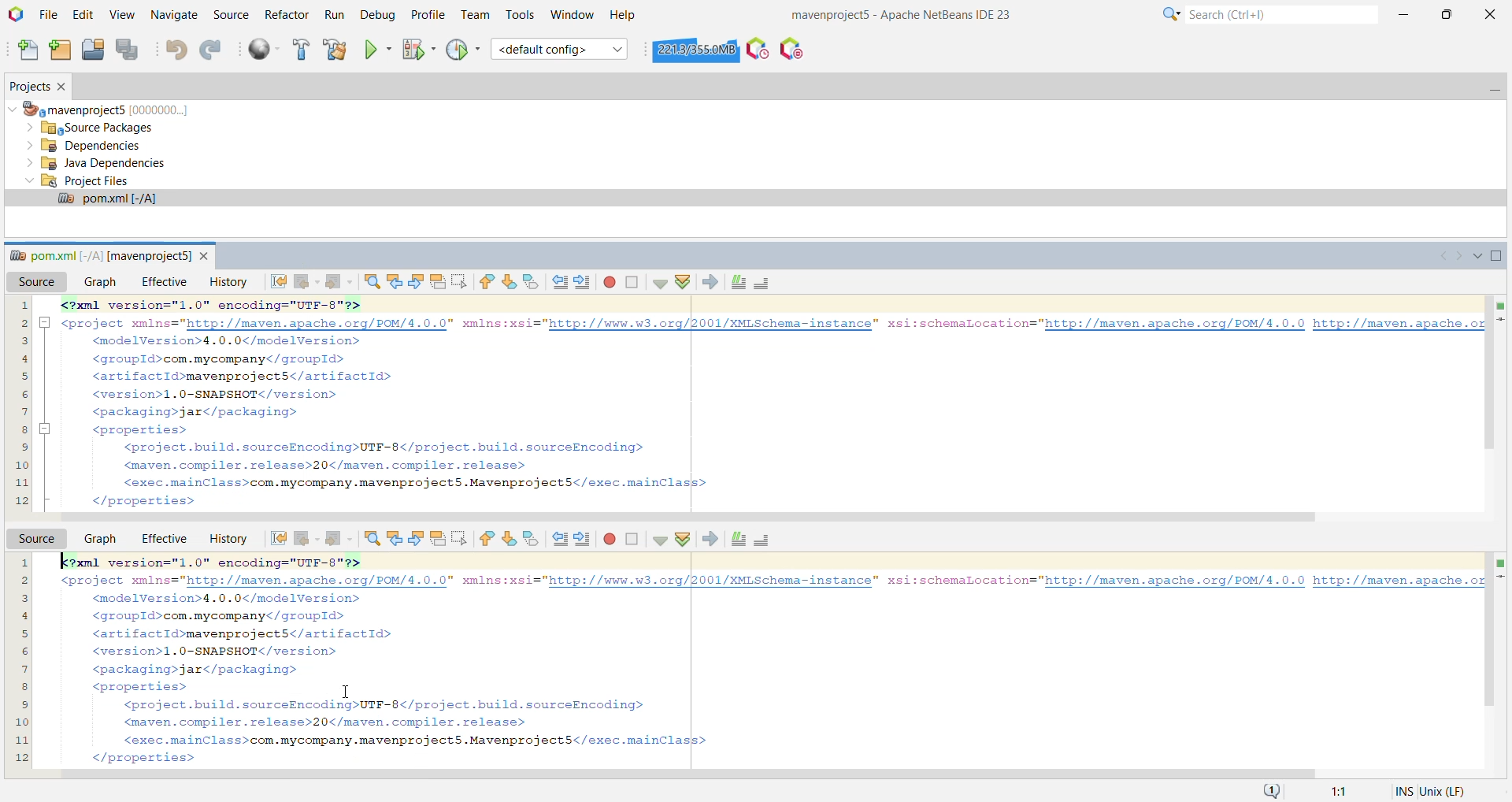 This screenshot has height=802, width=1512. Describe the element at coordinates (737, 283) in the screenshot. I see `Comment` at that location.